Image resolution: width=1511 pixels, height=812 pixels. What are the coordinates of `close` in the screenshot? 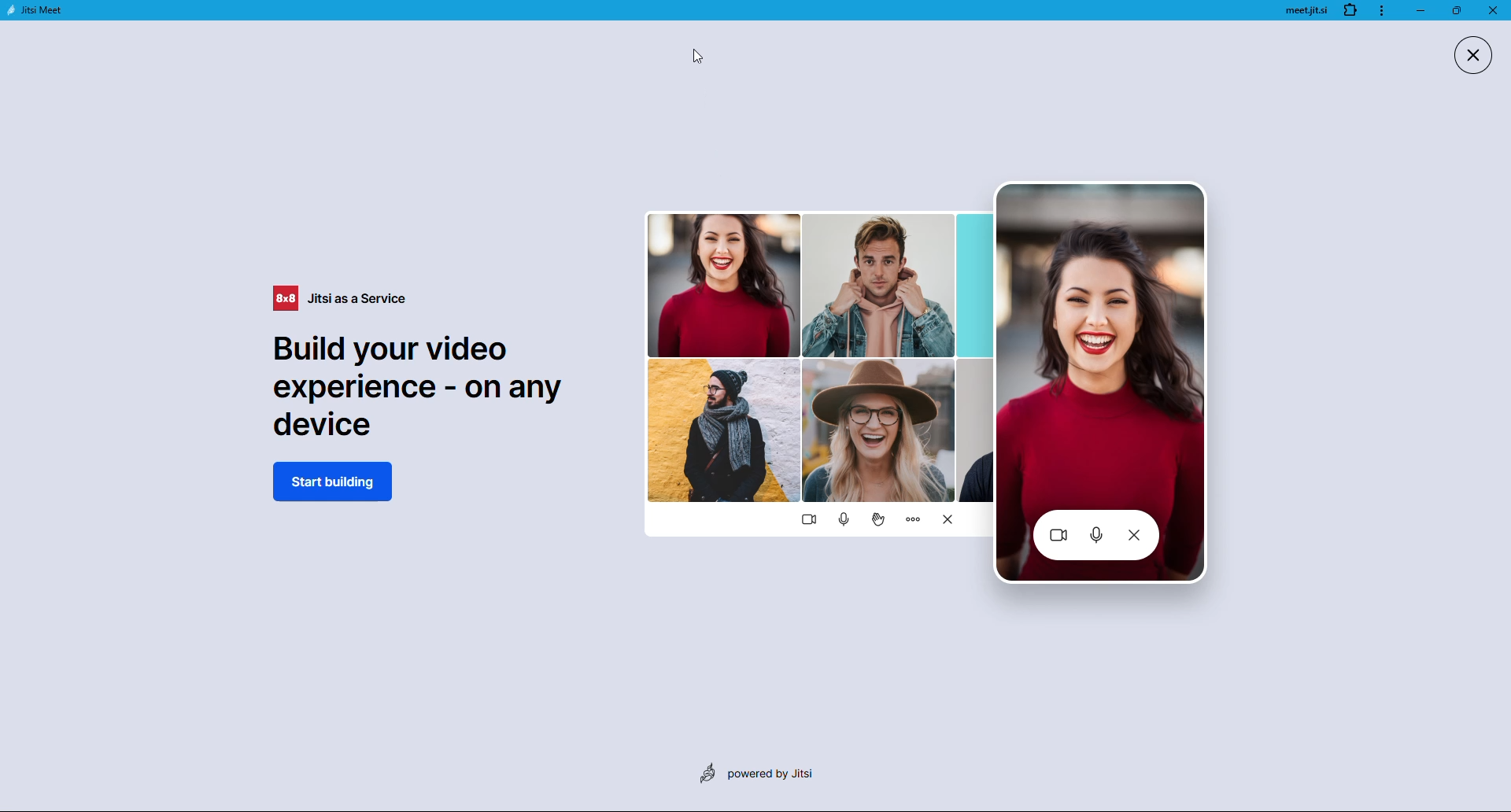 It's located at (1470, 52).